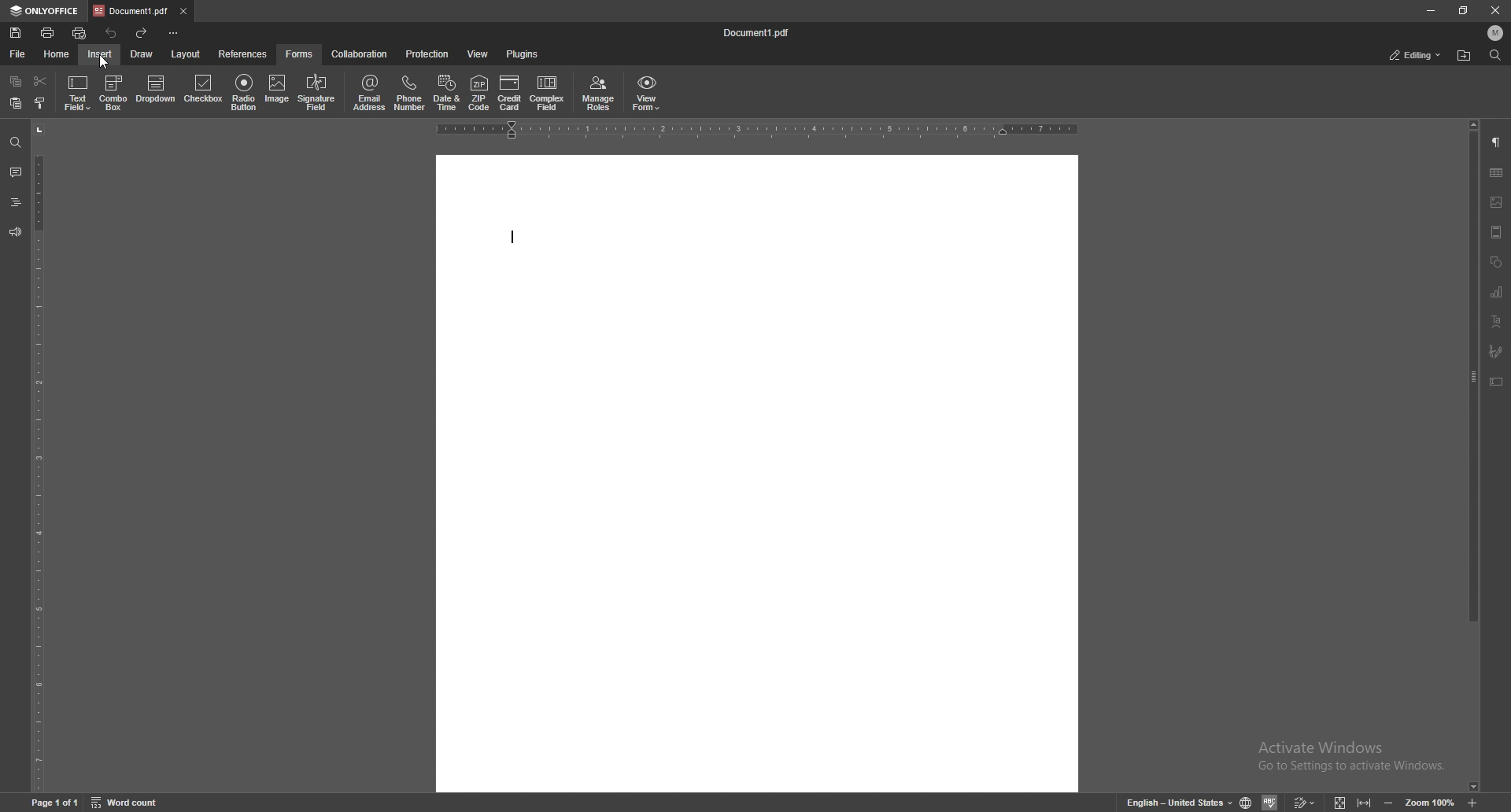 The image size is (1511, 812). I want to click on vertical scale, so click(41, 458).